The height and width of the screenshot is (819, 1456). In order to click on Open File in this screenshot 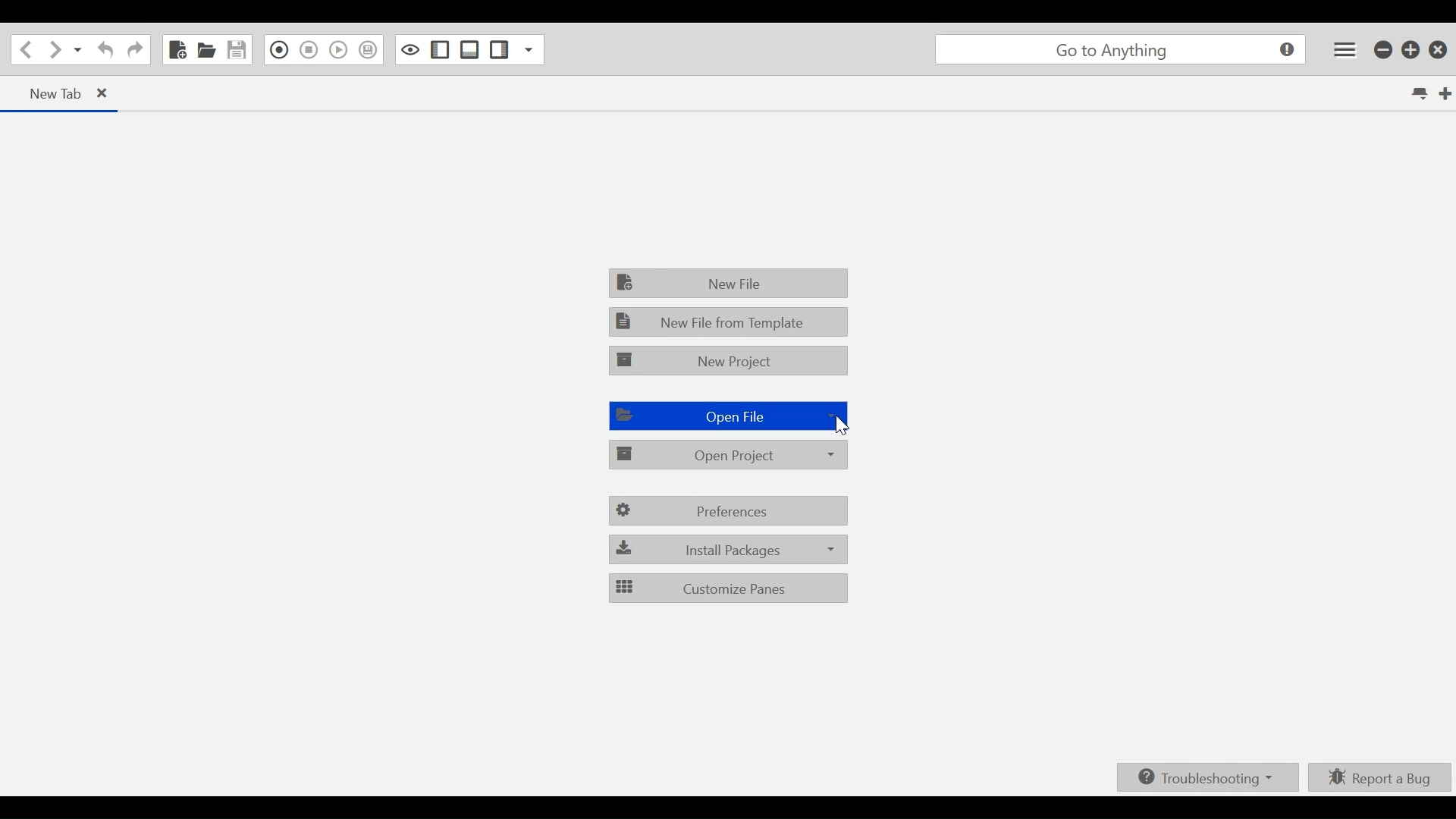, I will do `click(727, 416)`.